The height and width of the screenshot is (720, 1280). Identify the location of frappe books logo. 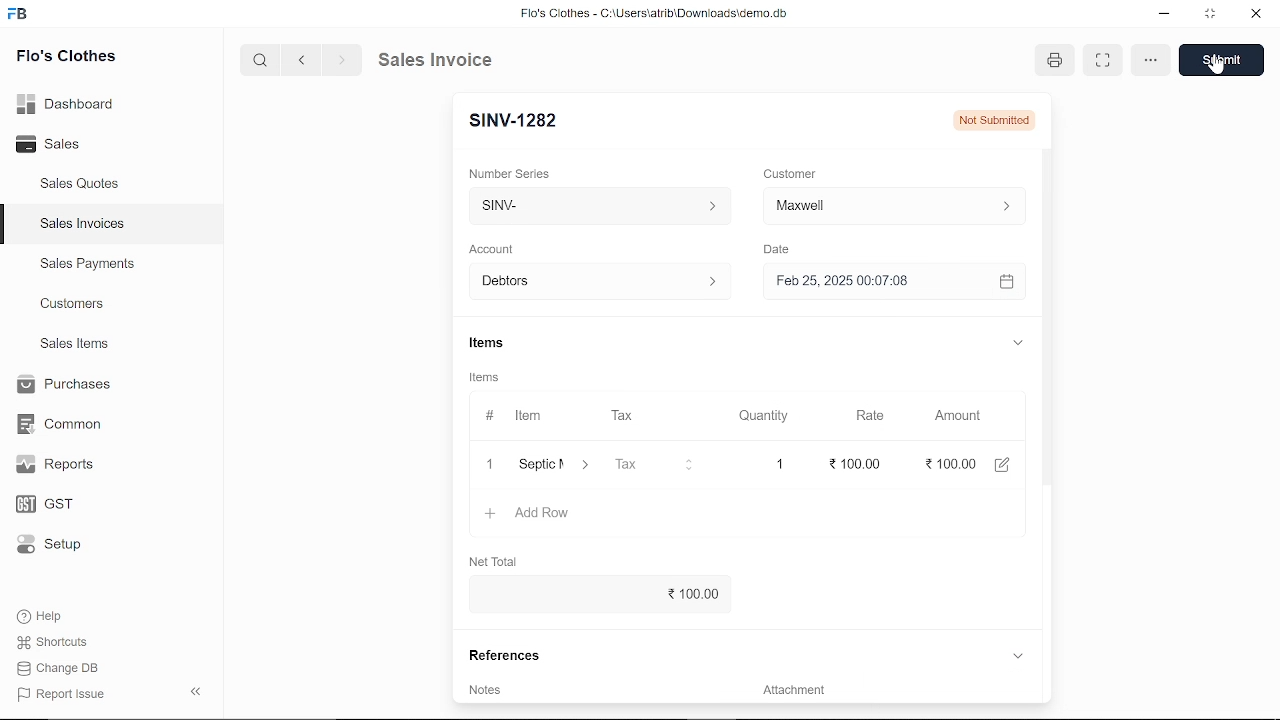
(20, 17).